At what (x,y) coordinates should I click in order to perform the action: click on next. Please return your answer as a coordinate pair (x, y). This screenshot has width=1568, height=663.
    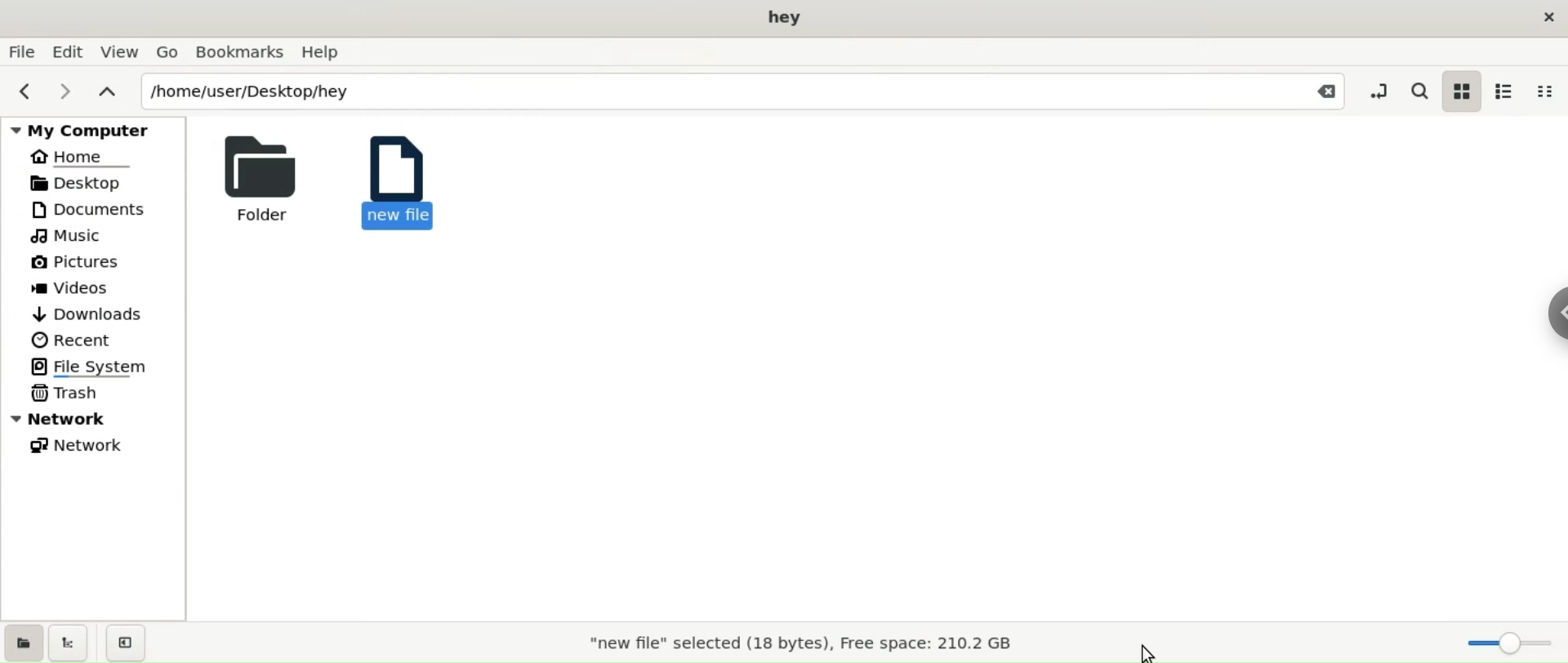
    Looking at the image, I should click on (62, 90).